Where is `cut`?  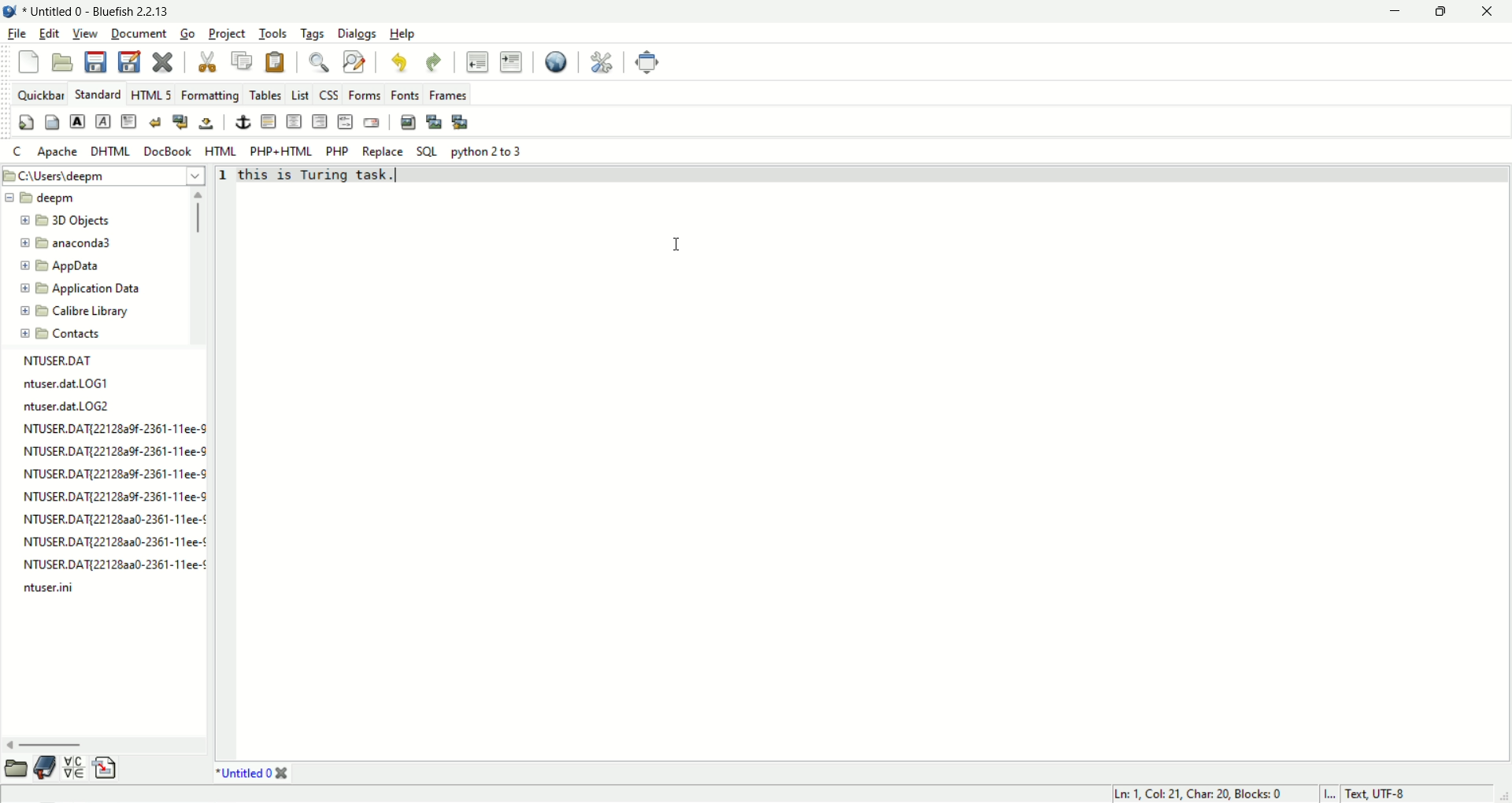 cut is located at coordinates (209, 63).